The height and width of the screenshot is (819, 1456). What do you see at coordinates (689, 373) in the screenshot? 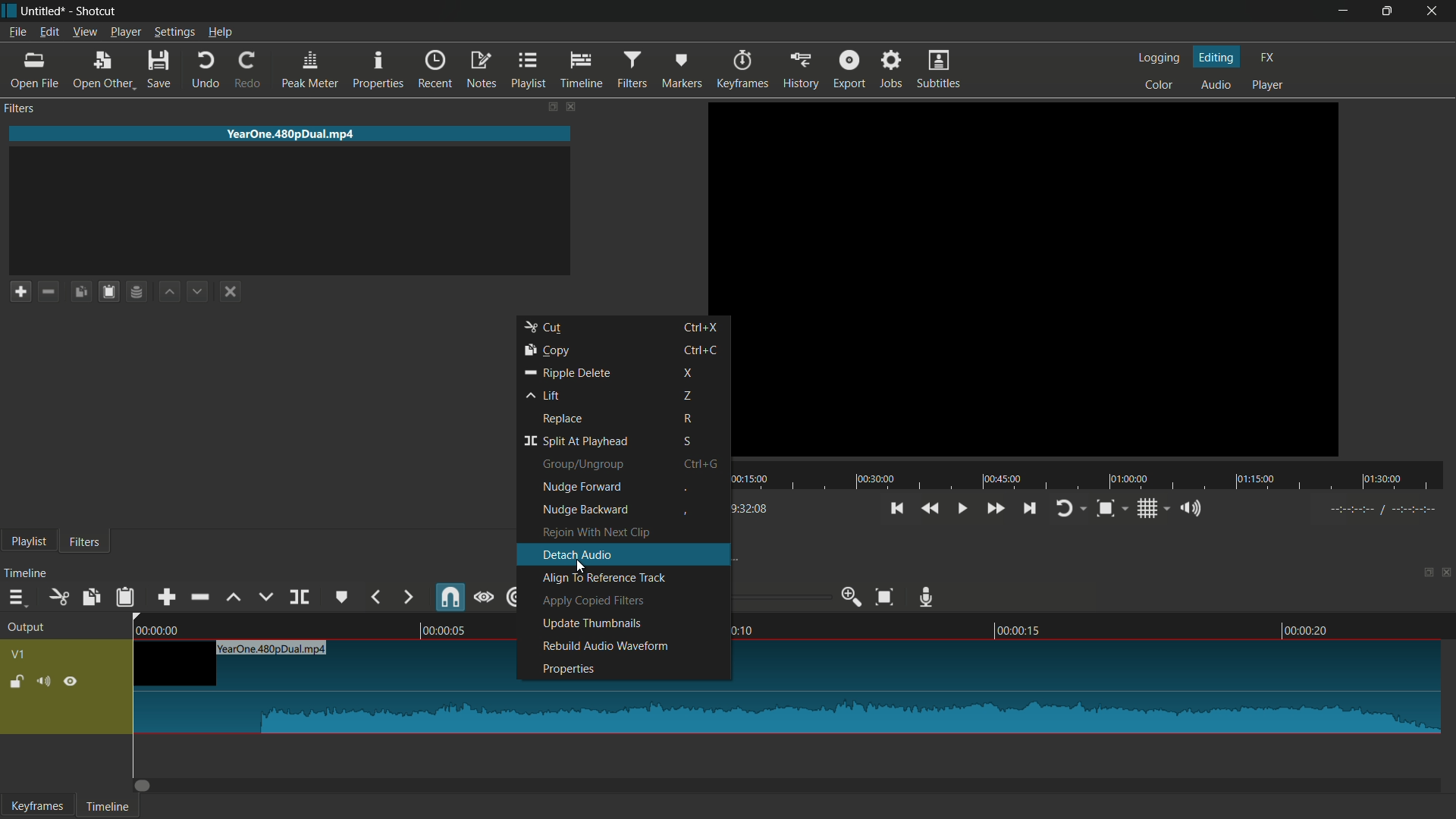
I see `keyboard shortcut` at bounding box center [689, 373].